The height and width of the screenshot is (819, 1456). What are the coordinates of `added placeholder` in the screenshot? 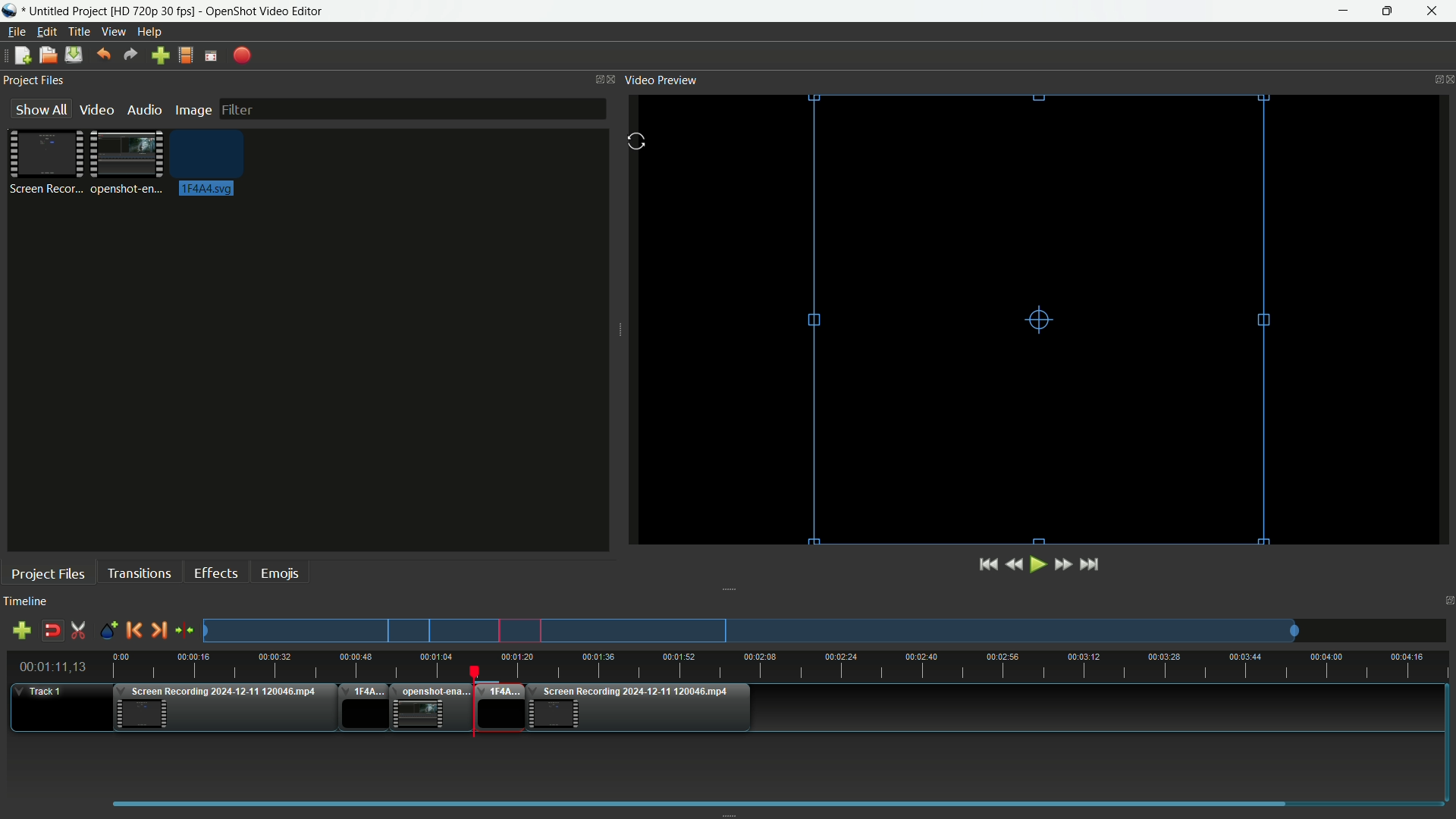 It's located at (363, 709).